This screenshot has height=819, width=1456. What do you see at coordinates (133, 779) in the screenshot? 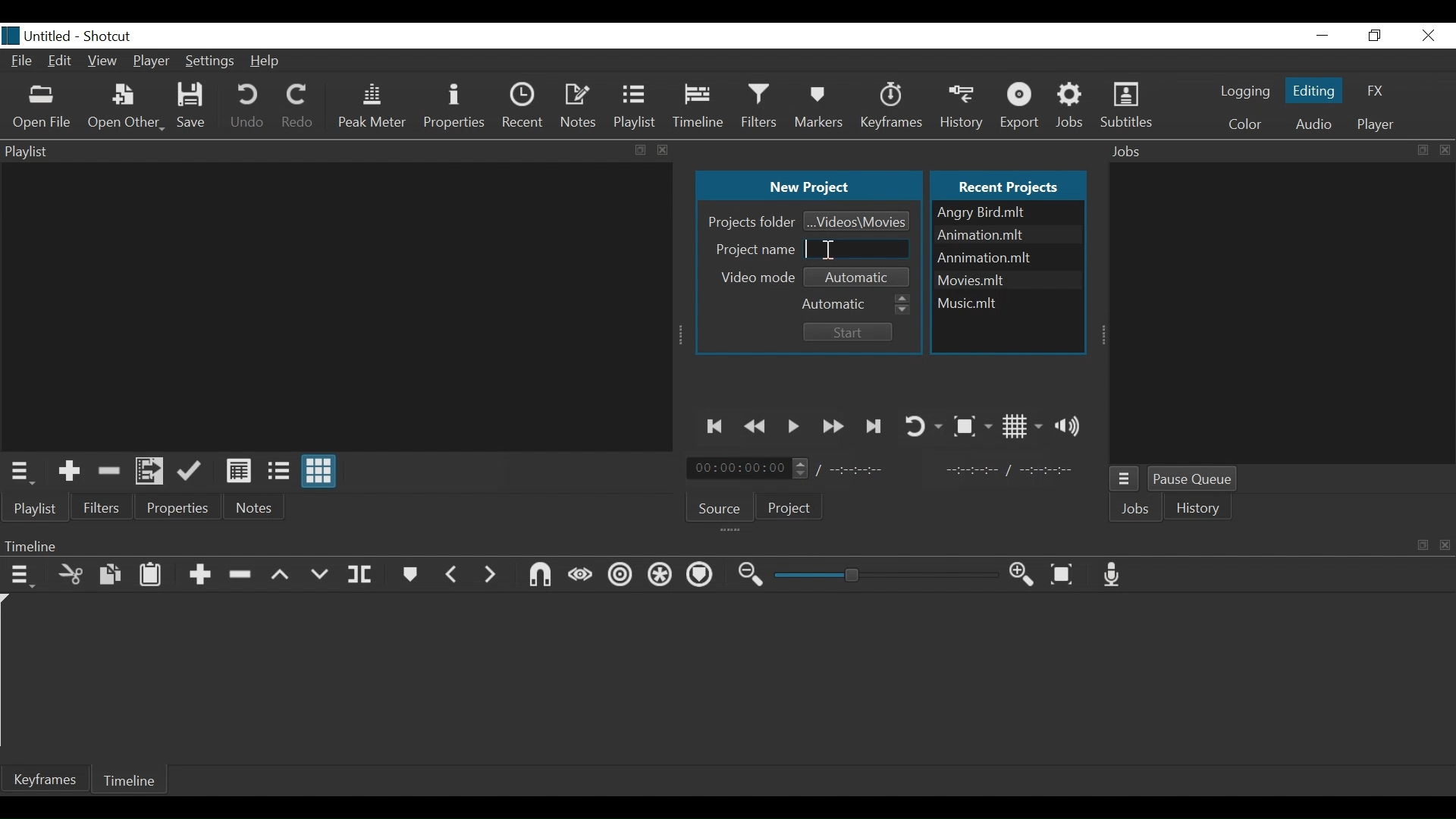
I see `Timeline` at bounding box center [133, 779].